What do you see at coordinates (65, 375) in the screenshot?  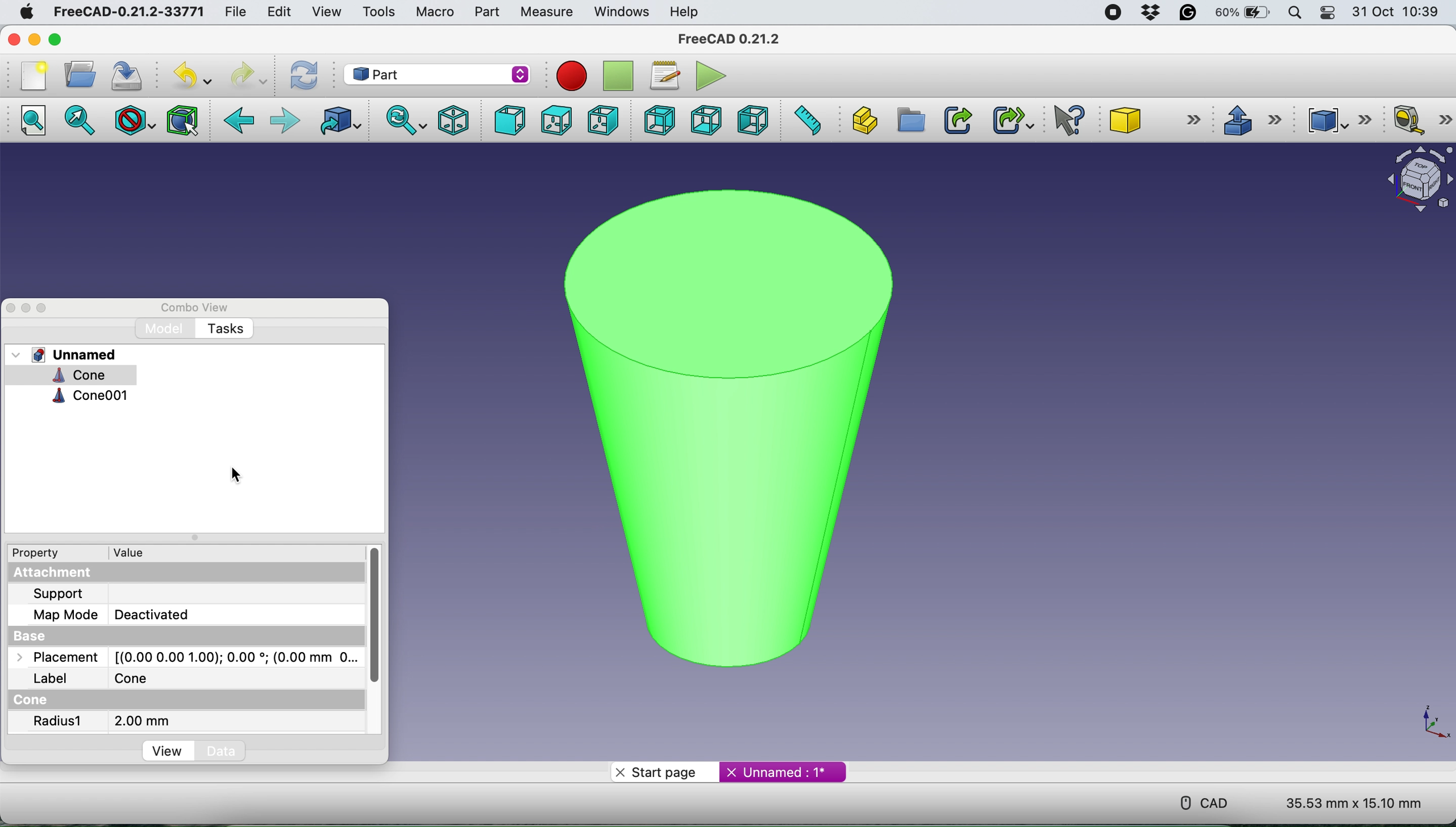 I see `cone` at bounding box center [65, 375].